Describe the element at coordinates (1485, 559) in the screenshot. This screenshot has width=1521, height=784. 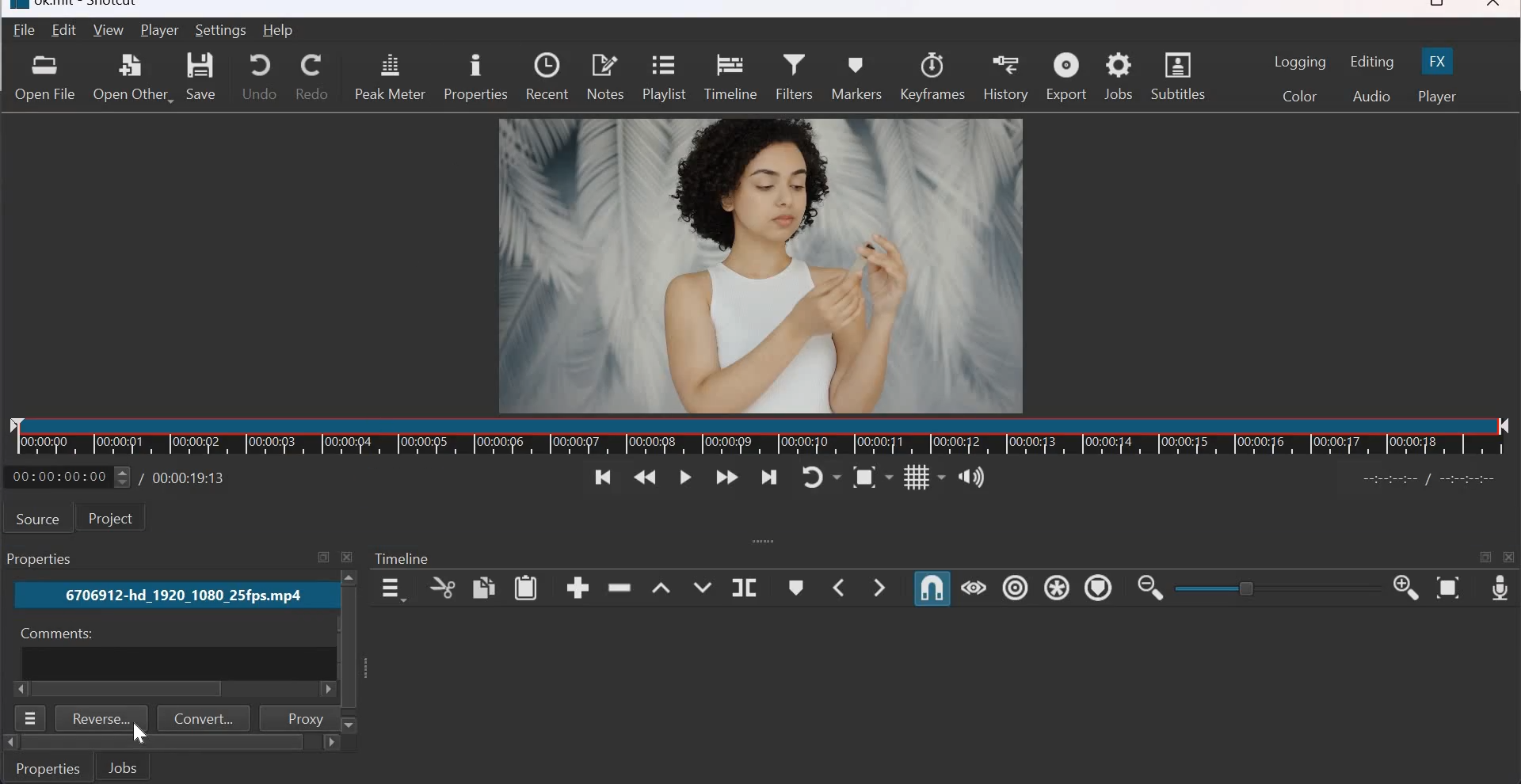
I see `maximize` at that location.